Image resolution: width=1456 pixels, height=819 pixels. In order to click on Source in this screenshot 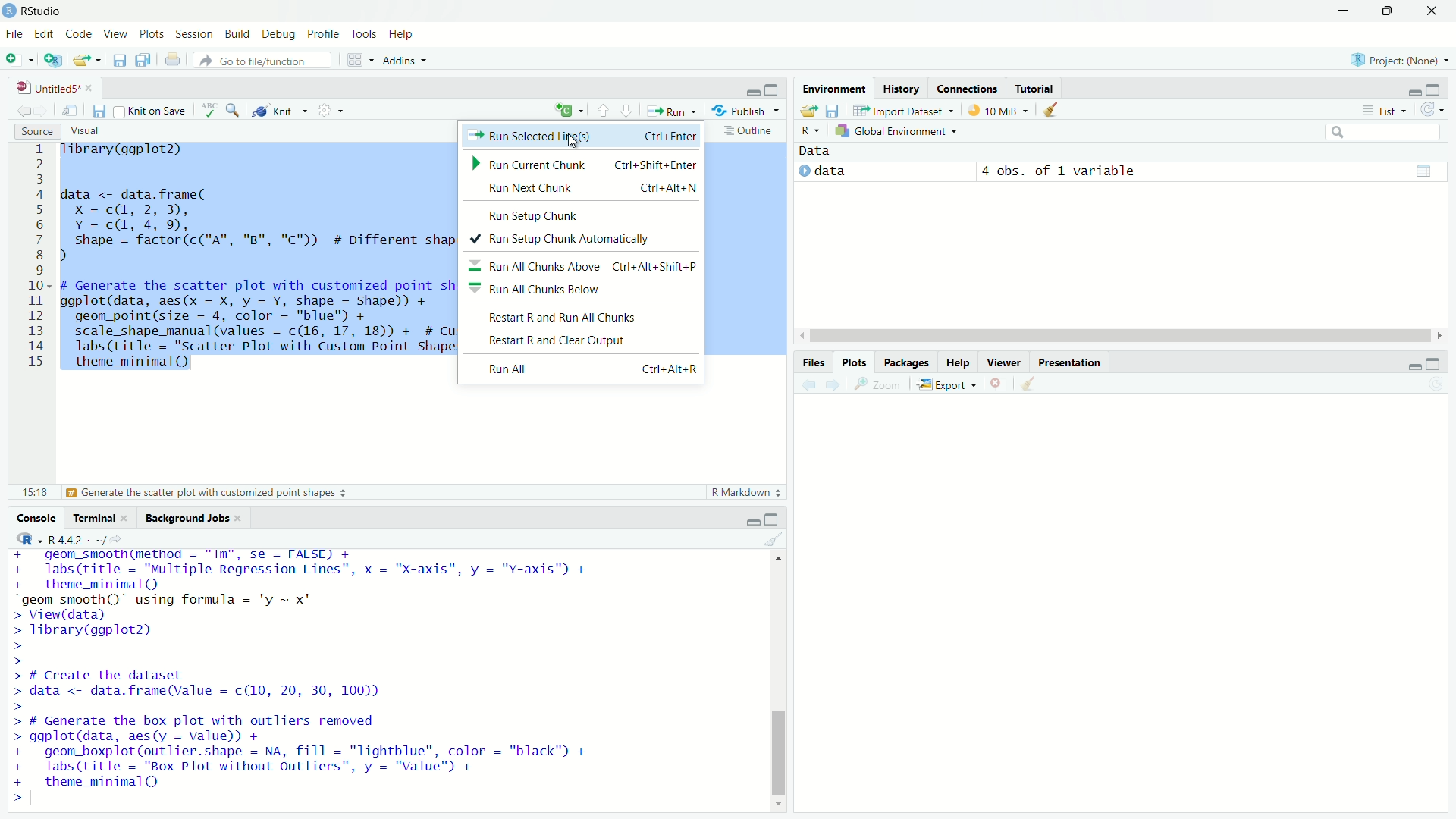, I will do `click(36, 132)`.